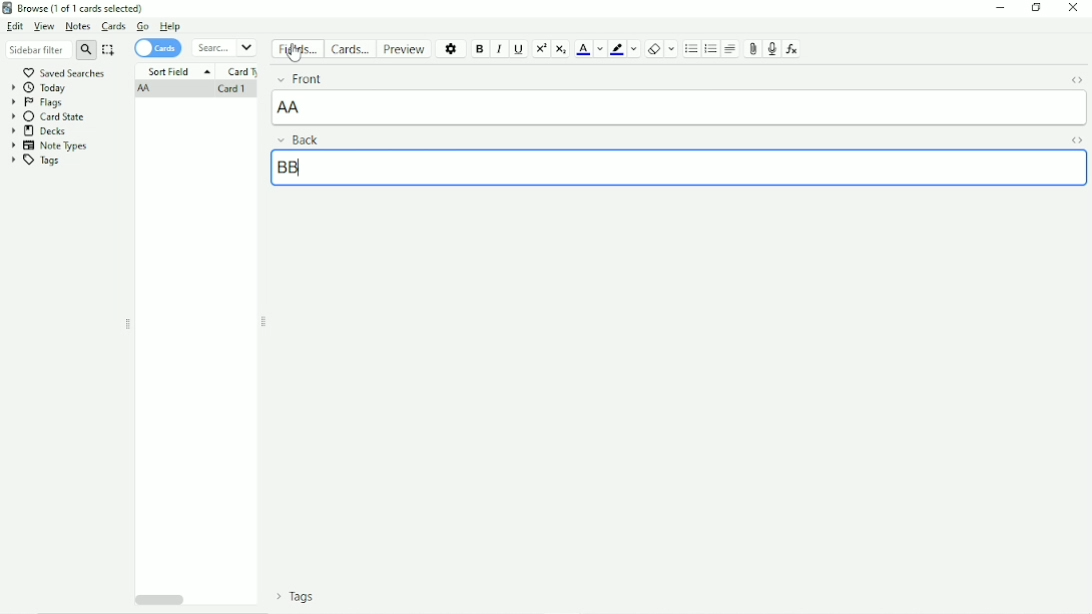 The image size is (1092, 614). Describe the element at coordinates (143, 26) in the screenshot. I see `Go` at that location.